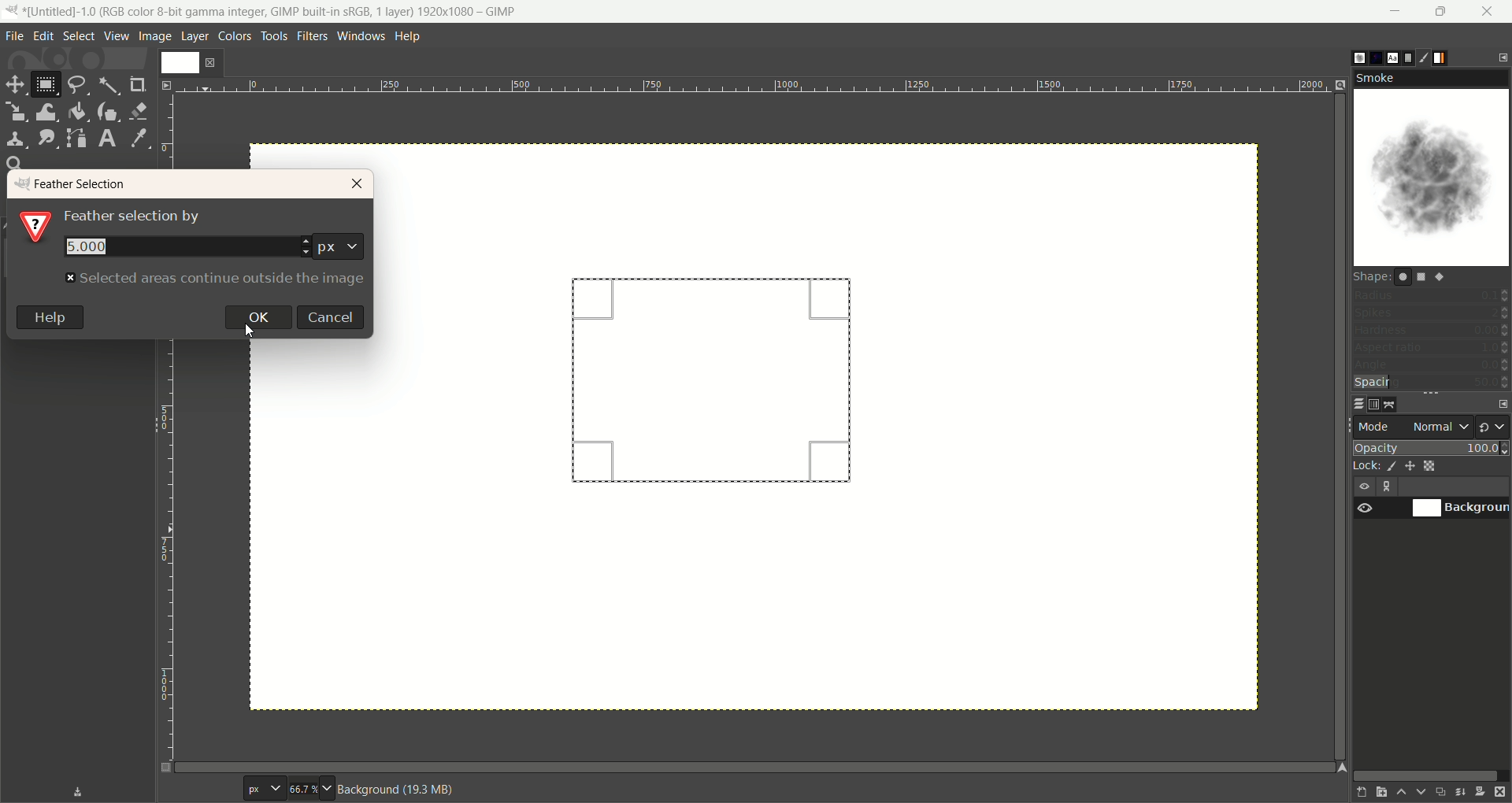 This screenshot has height=803, width=1512. I want to click on maximize, so click(1442, 10).